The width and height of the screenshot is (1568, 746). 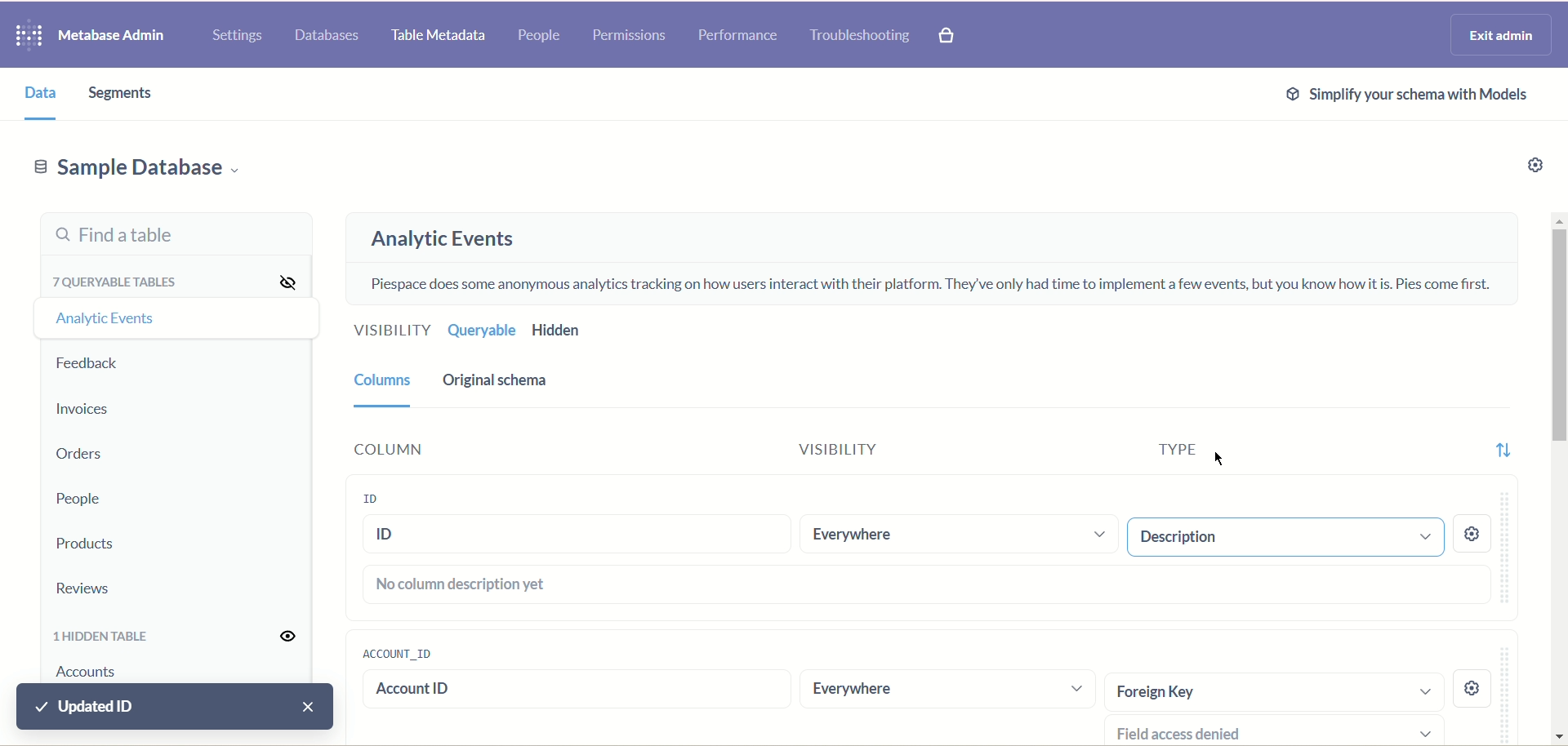 I want to click on column, so click(x=385, y=388).